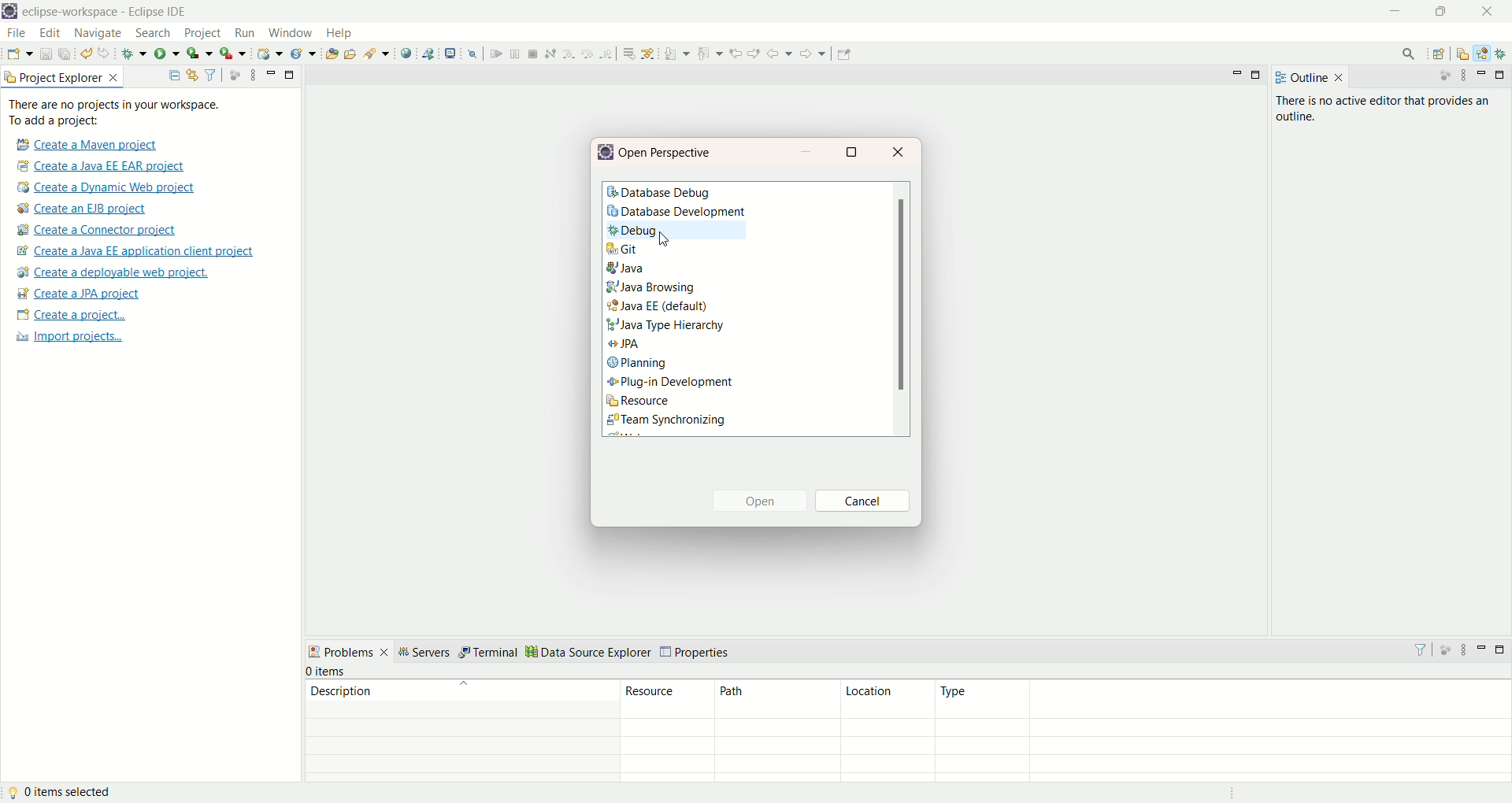 The image size is (1512, 803). I want to click on file, so click(17, 33).